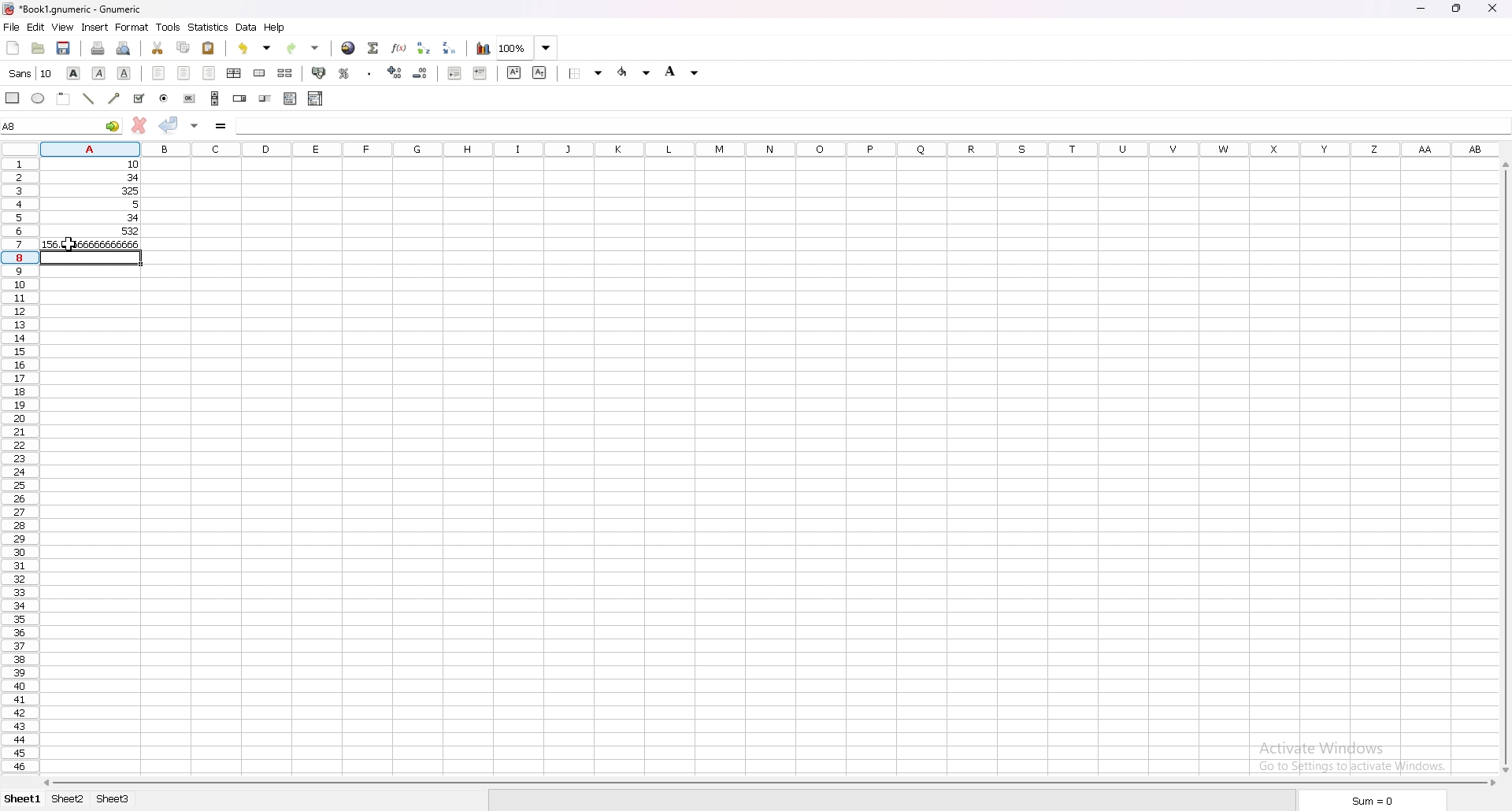 This screenshot has height=811, width=1512. Describe the element at coordinates (38, 49) in the screenshot. I see `open` at that location.